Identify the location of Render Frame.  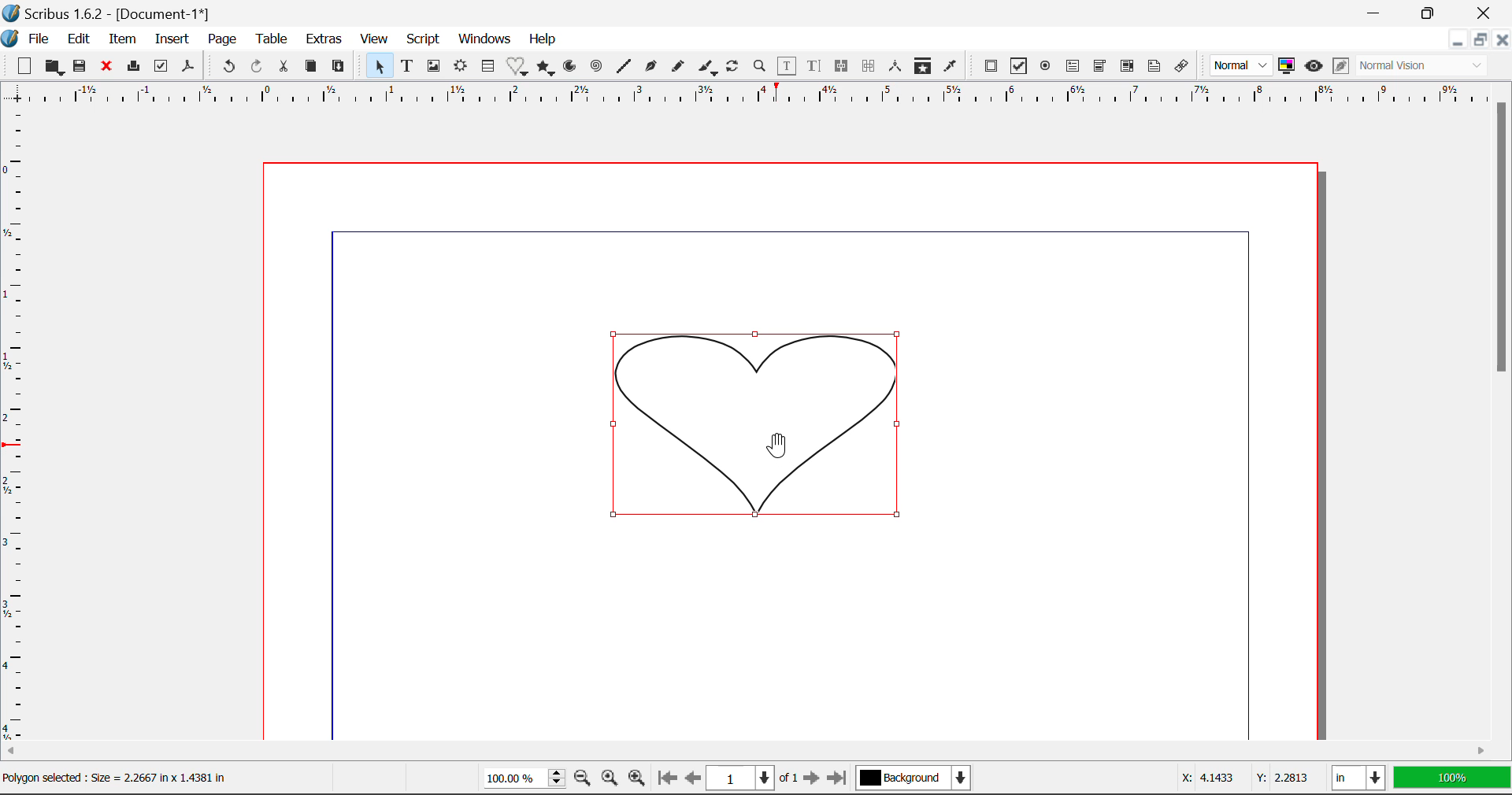
(461, 67).